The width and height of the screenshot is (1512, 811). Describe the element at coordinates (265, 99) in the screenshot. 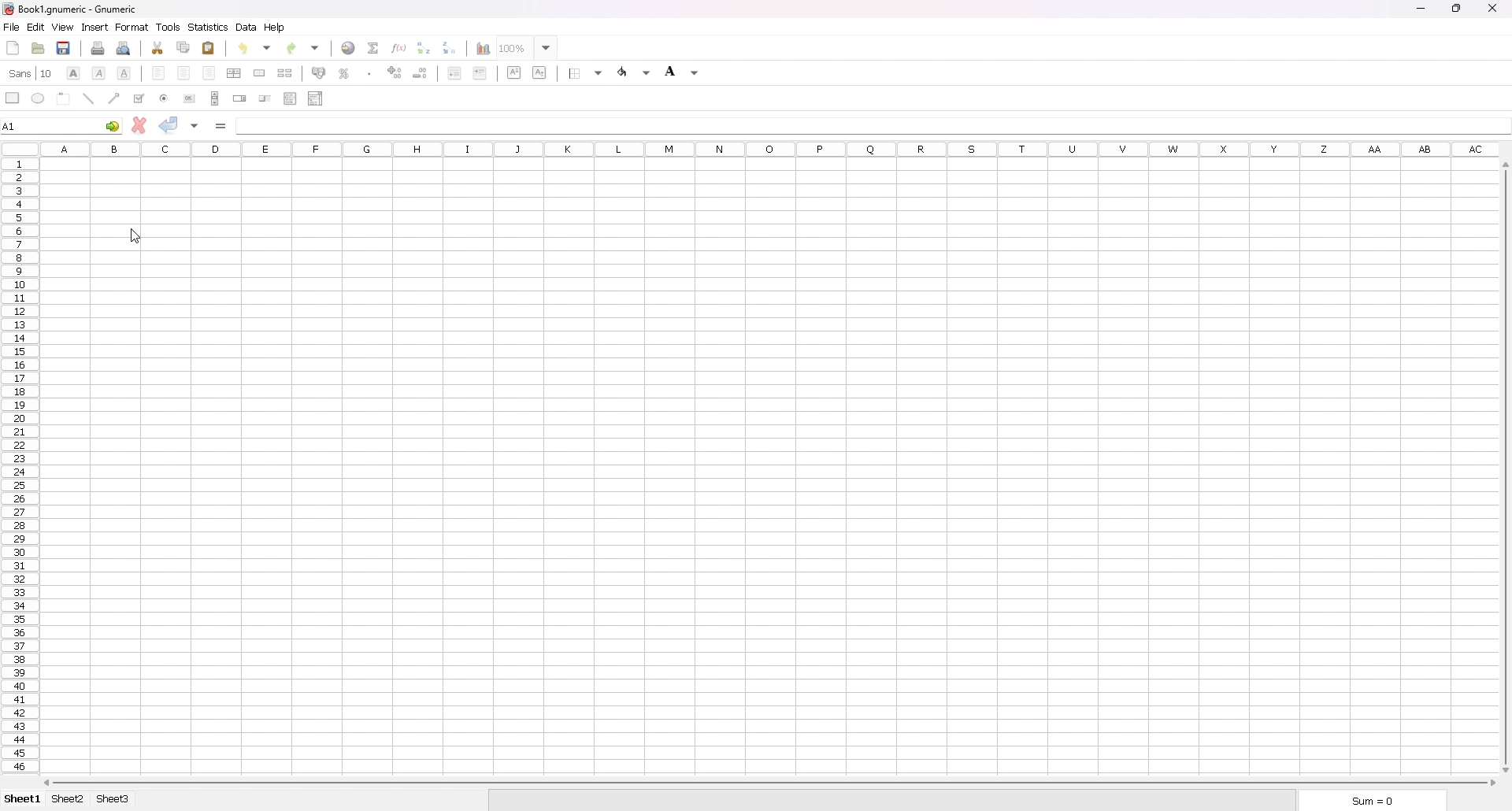

I see `slider` at that location.